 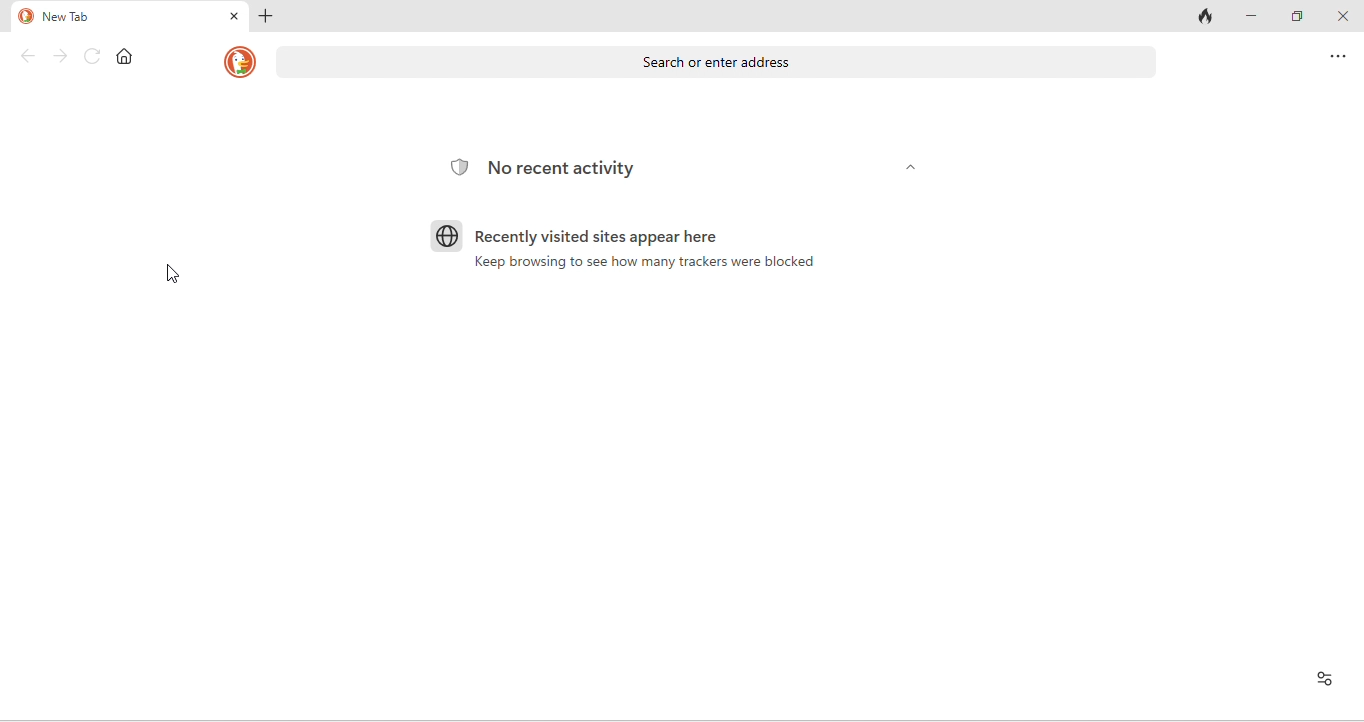 What do you see at coordinates (1319, 680) in the screenshot?
I see `recent activity and favorites` at bounding box center [1319, 680].